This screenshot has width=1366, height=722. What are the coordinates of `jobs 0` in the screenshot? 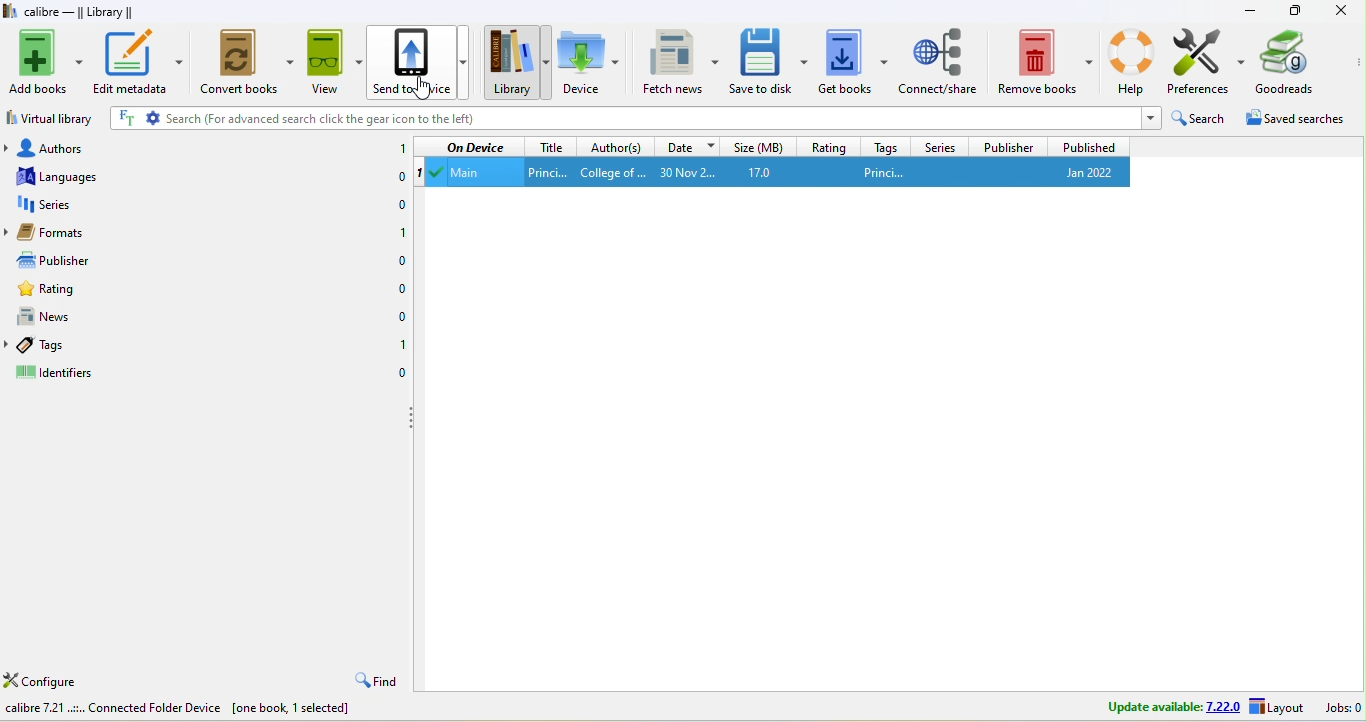 It's located at (1342, 707).